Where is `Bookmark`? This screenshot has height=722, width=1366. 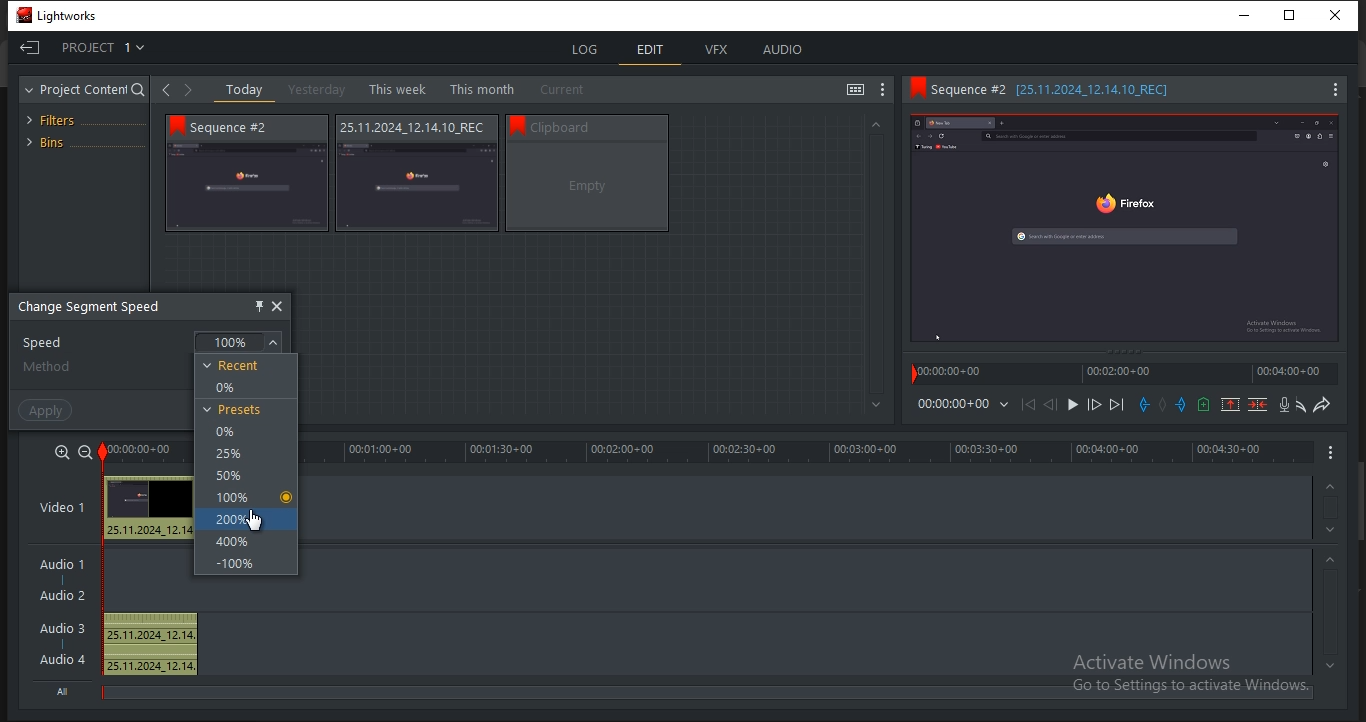 Bookmark is located at coordinates (916, 90).